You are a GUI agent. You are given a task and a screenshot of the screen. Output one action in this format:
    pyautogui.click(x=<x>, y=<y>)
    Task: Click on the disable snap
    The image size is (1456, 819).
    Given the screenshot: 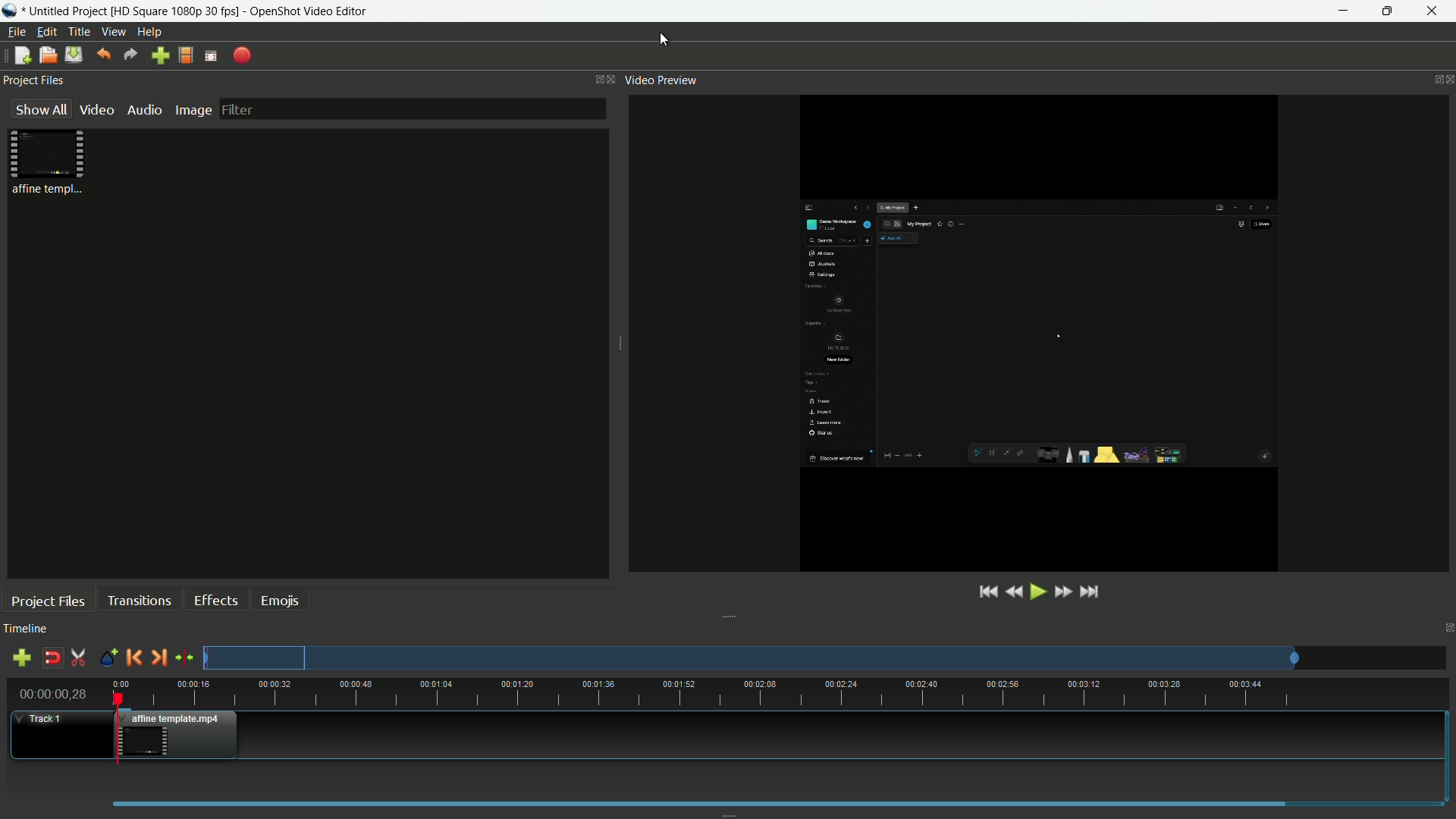 What is the action you would take?
    pyautogui.click(x=52, y=657)
    